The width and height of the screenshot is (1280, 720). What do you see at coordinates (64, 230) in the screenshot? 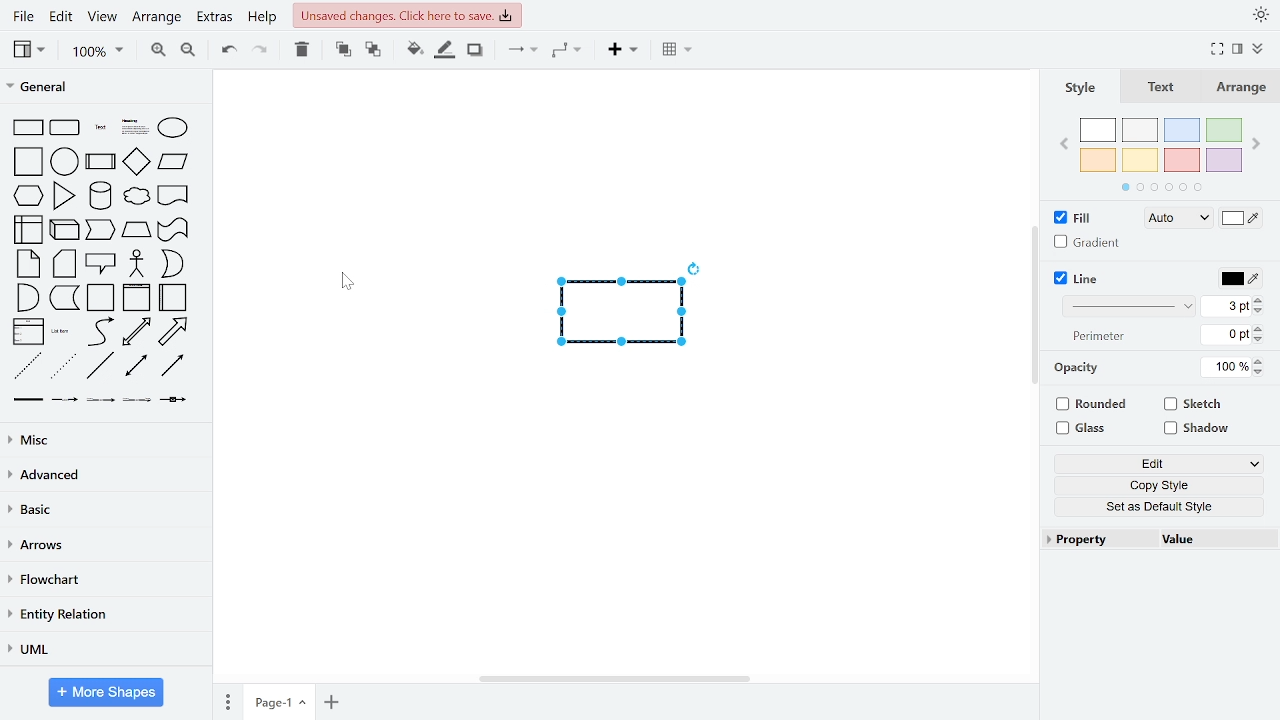
I see `general shapes` at bounding box center [64, 230].